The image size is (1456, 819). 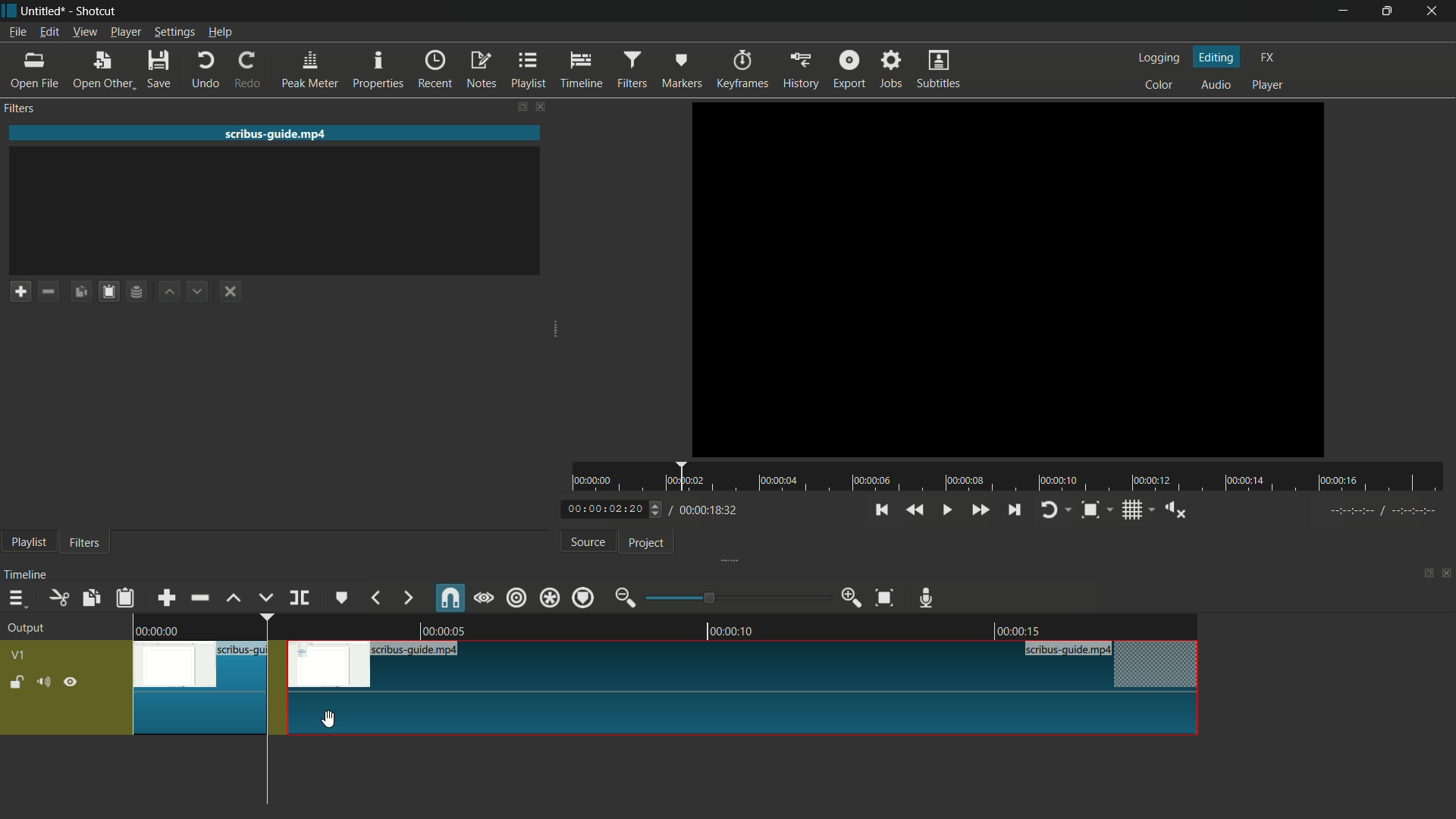 I want to click on export, so click(x=849, y=71).